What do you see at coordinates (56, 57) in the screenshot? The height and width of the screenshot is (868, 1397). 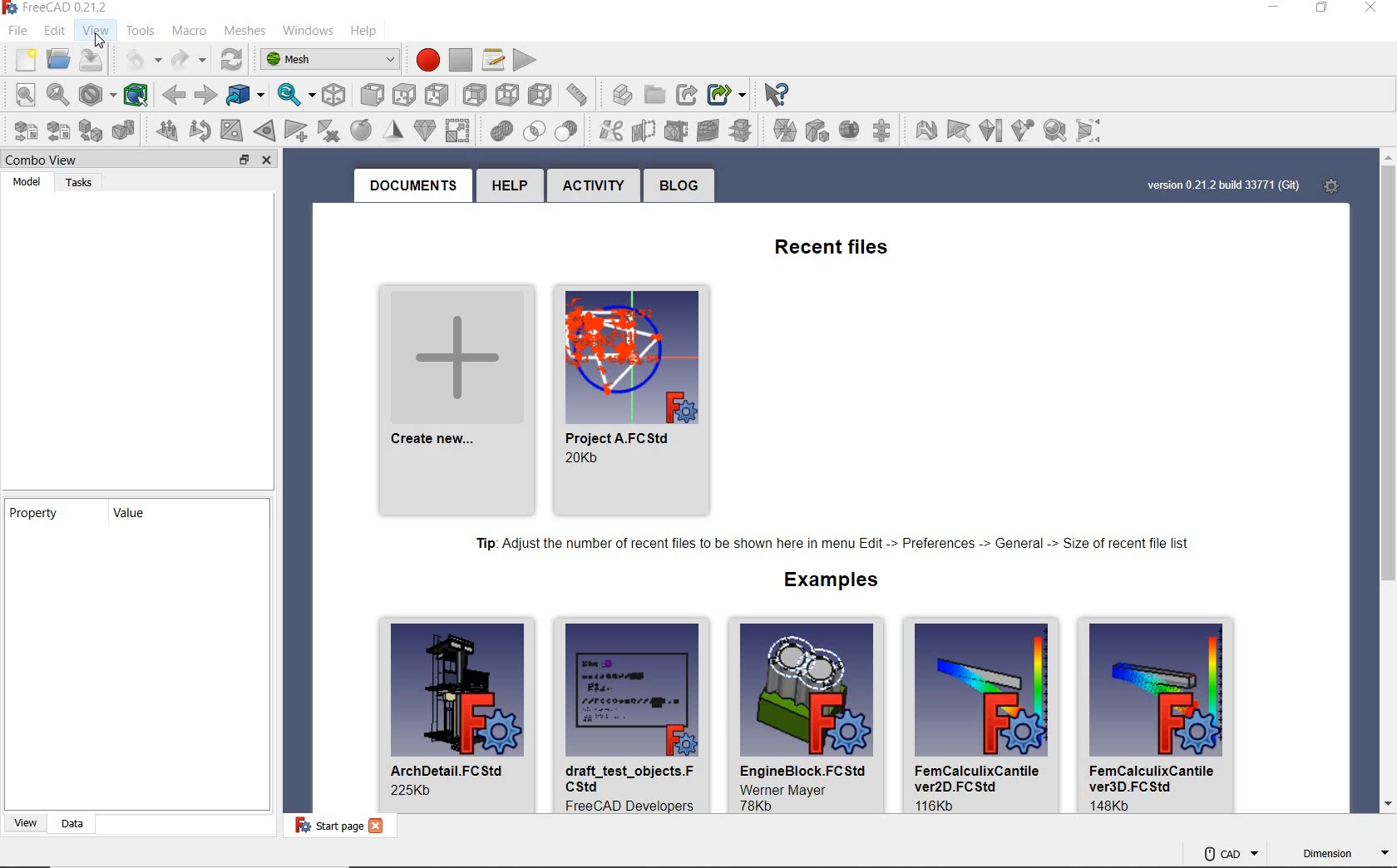 I see `open` at bounding box center [56, 57].